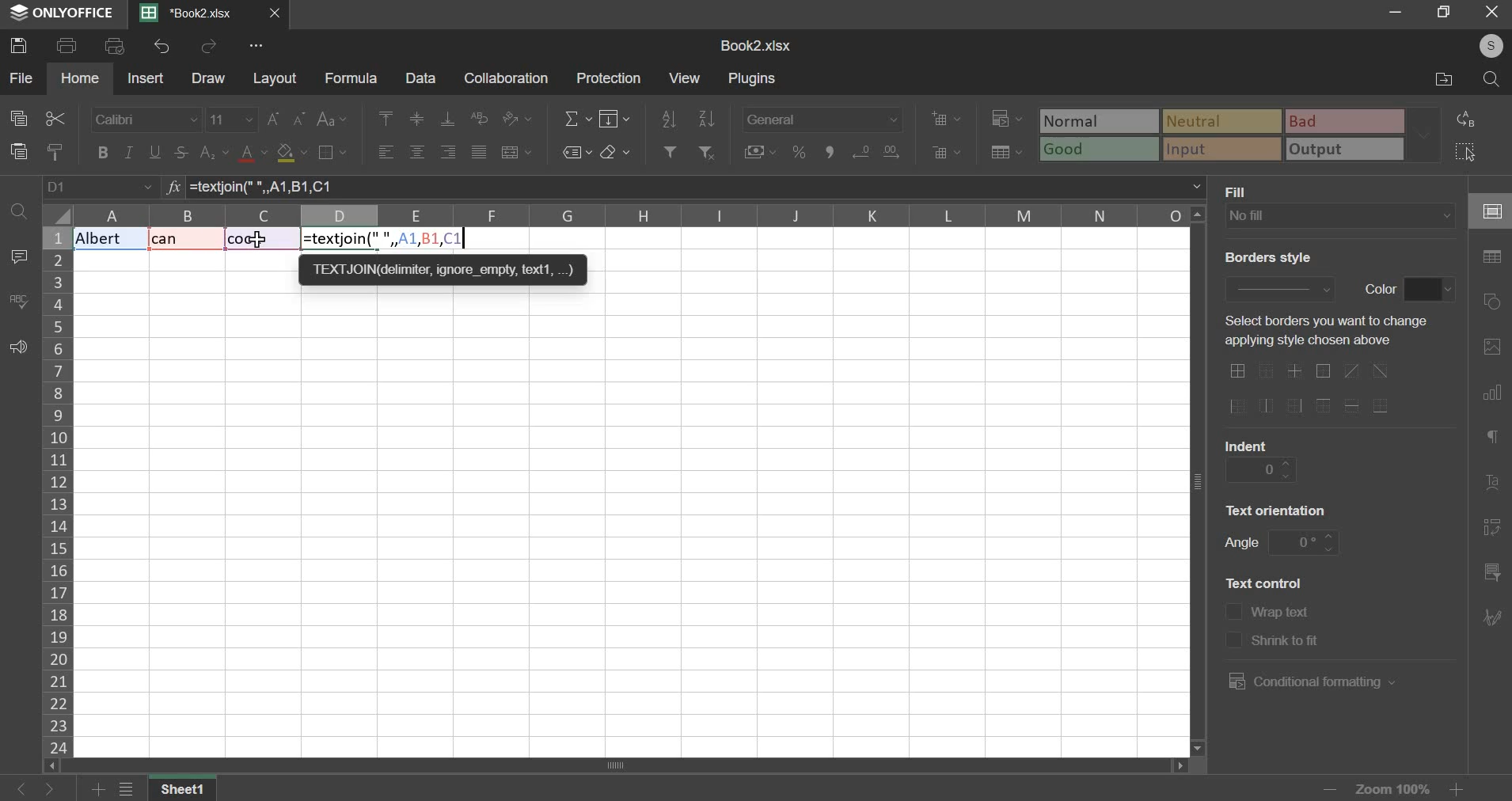  What do you see at coordinates (1492, 257) in the screenshot?
I see `table` at bounding box center [1492, 257].